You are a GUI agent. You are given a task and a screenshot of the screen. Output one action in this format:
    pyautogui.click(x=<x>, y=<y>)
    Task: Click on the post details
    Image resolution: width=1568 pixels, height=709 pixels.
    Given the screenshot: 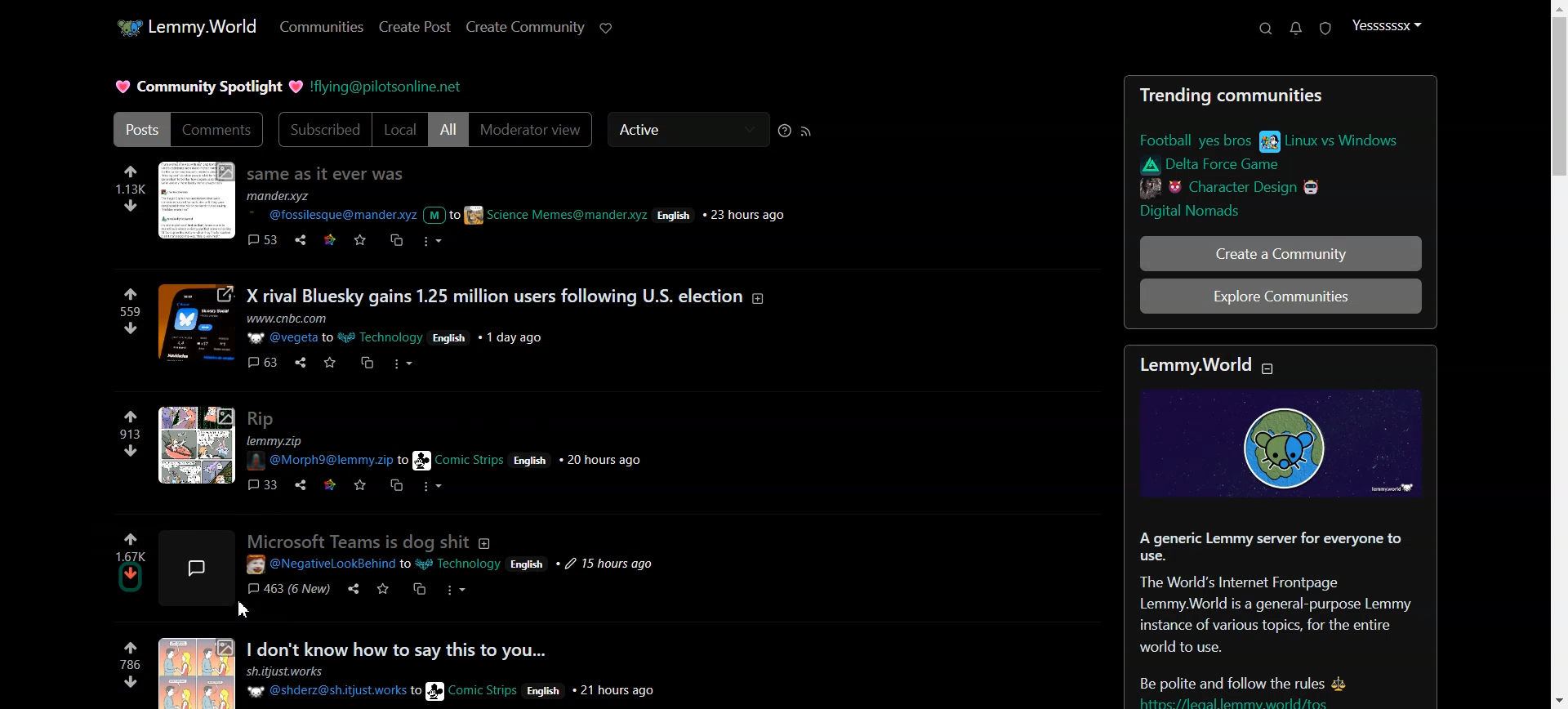 What is the action you would take?
    pyautogui.click(x=551, y=208)
    